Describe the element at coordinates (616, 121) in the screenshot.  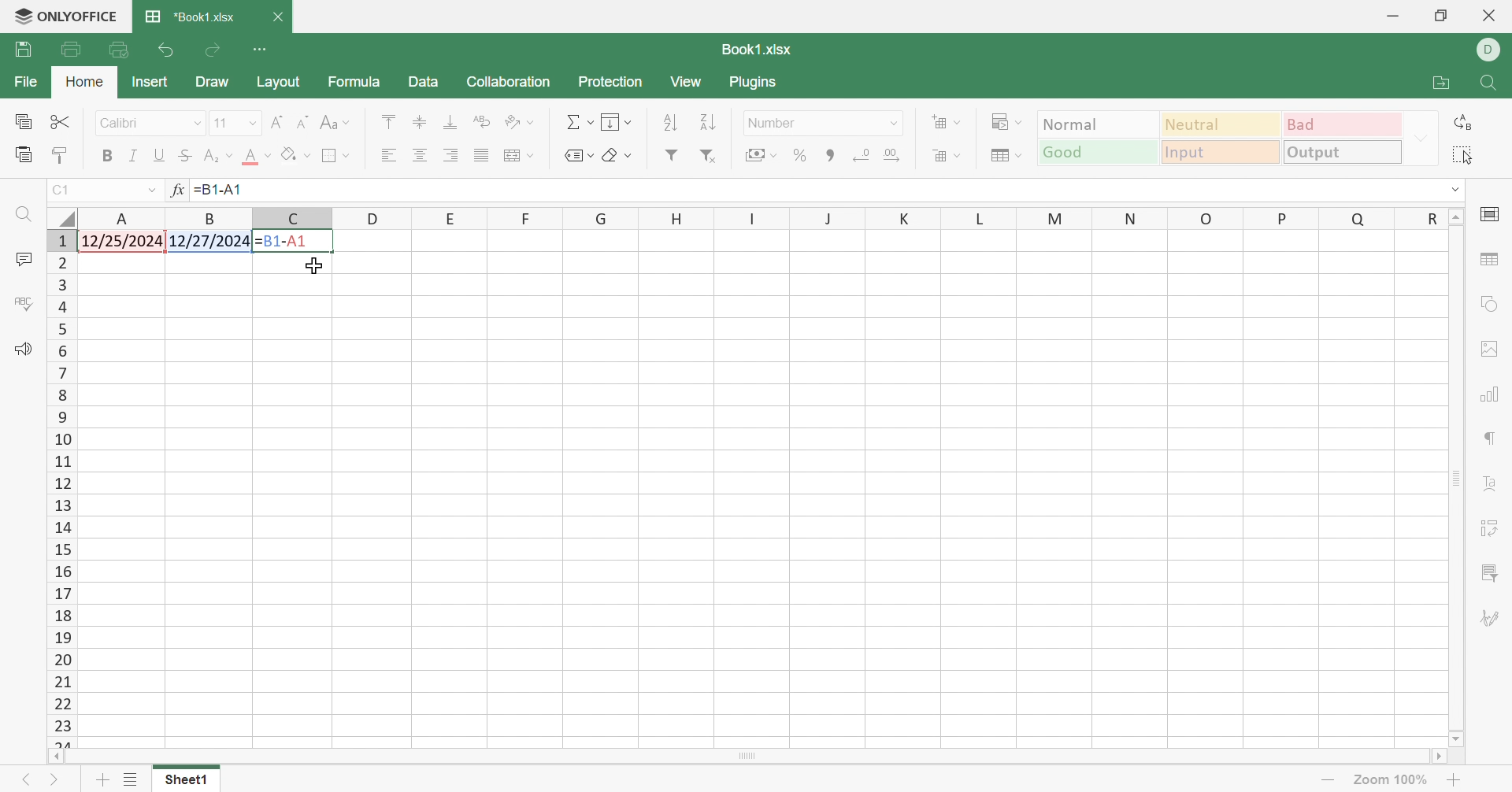
I see `Fill` at that location.